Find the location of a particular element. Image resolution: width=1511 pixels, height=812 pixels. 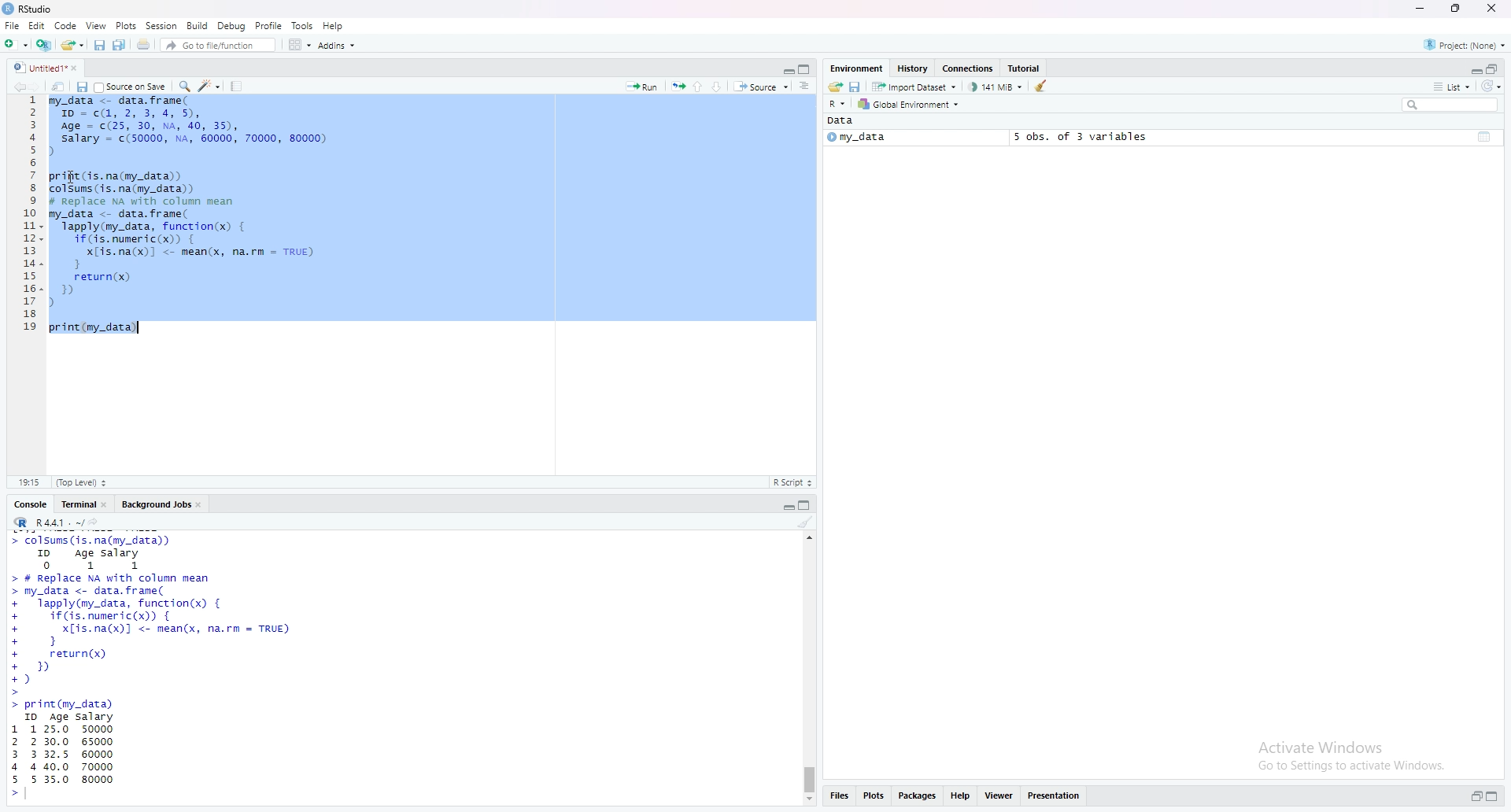

go back is located at coordinates (16, 87).